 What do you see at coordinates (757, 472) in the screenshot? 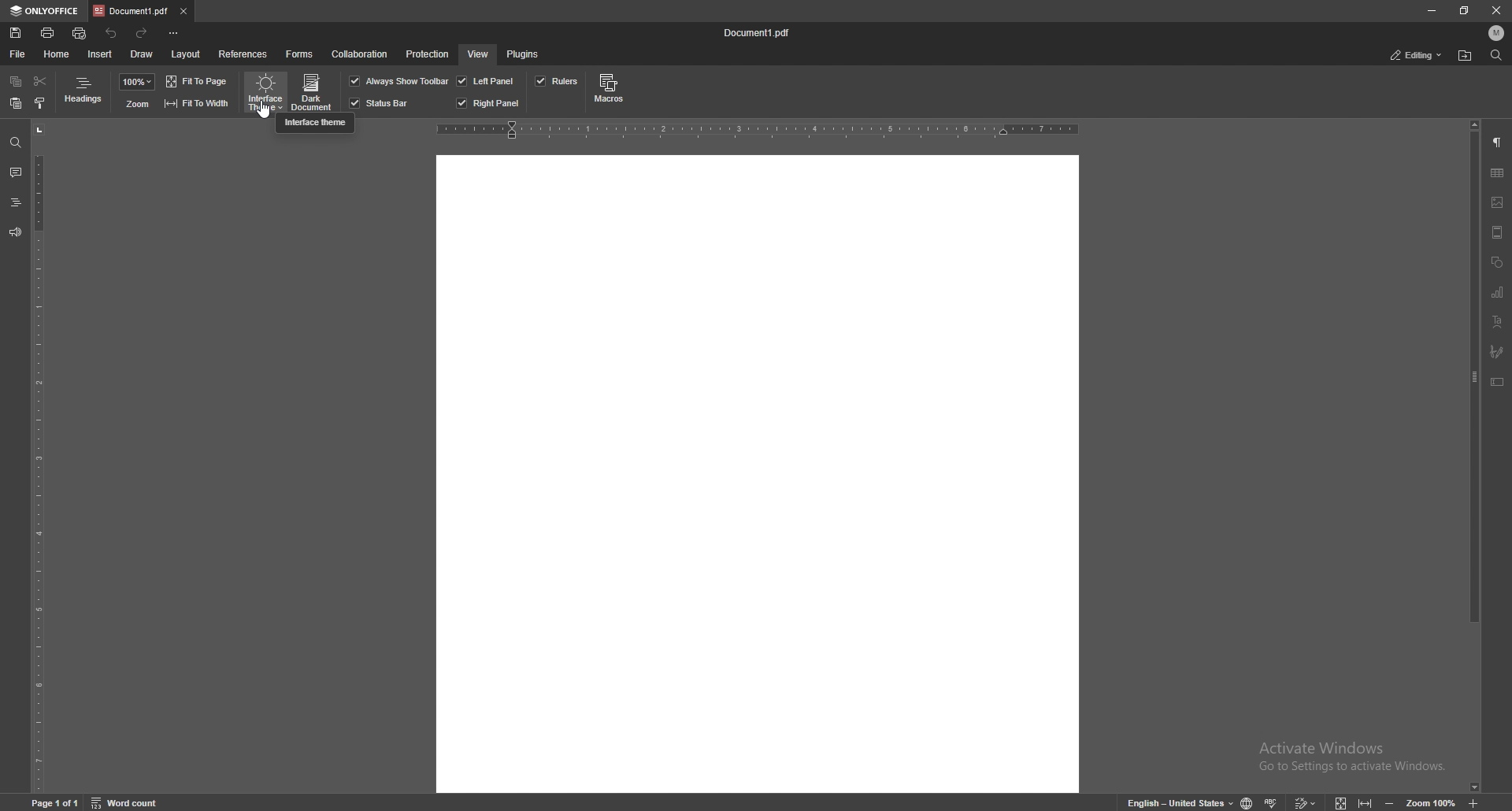
I see `document` at bounding box center [757, 472].